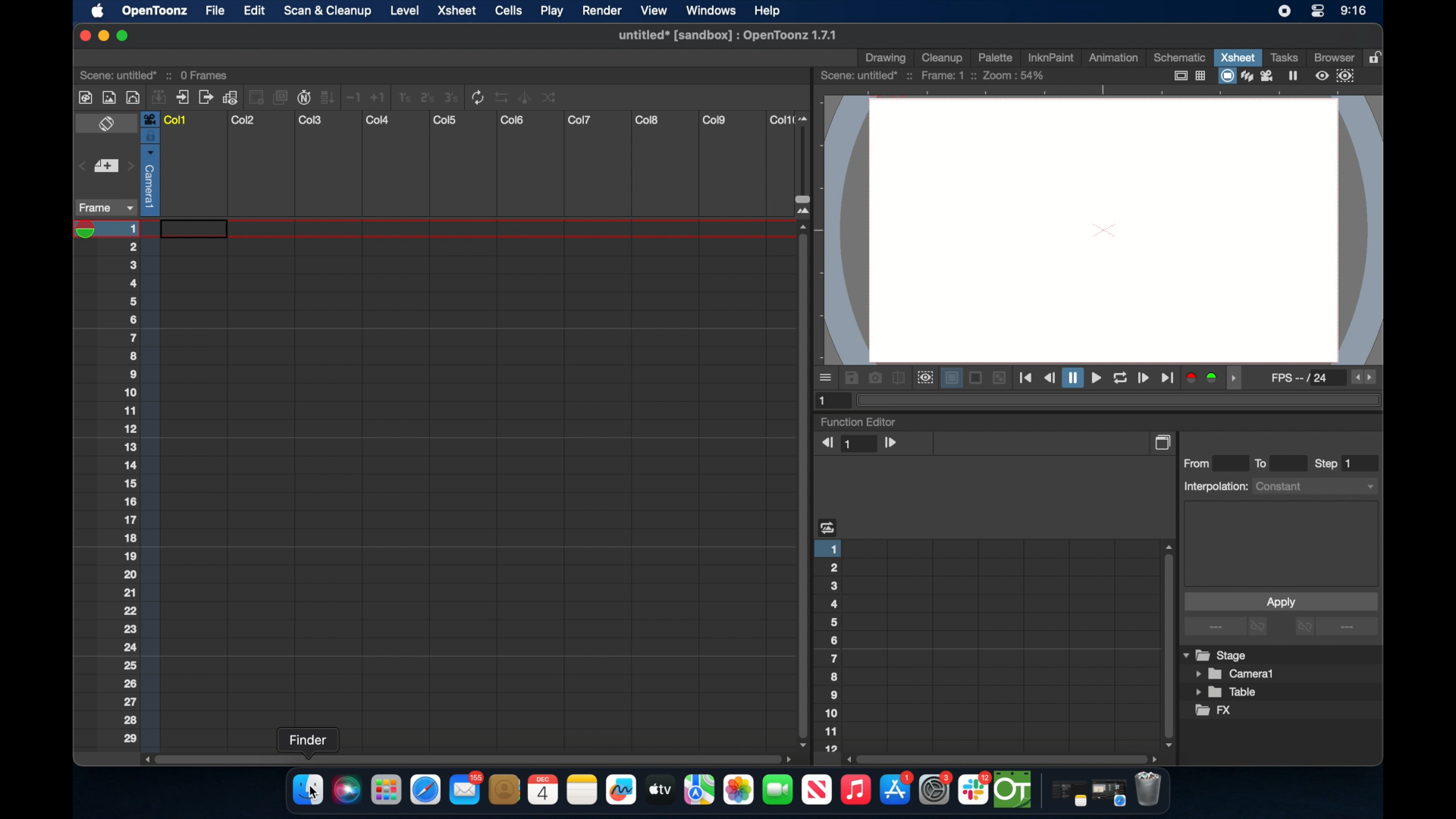 This screenshot has height=819, width=1456. I want to click on numbering, so click(831, 645).